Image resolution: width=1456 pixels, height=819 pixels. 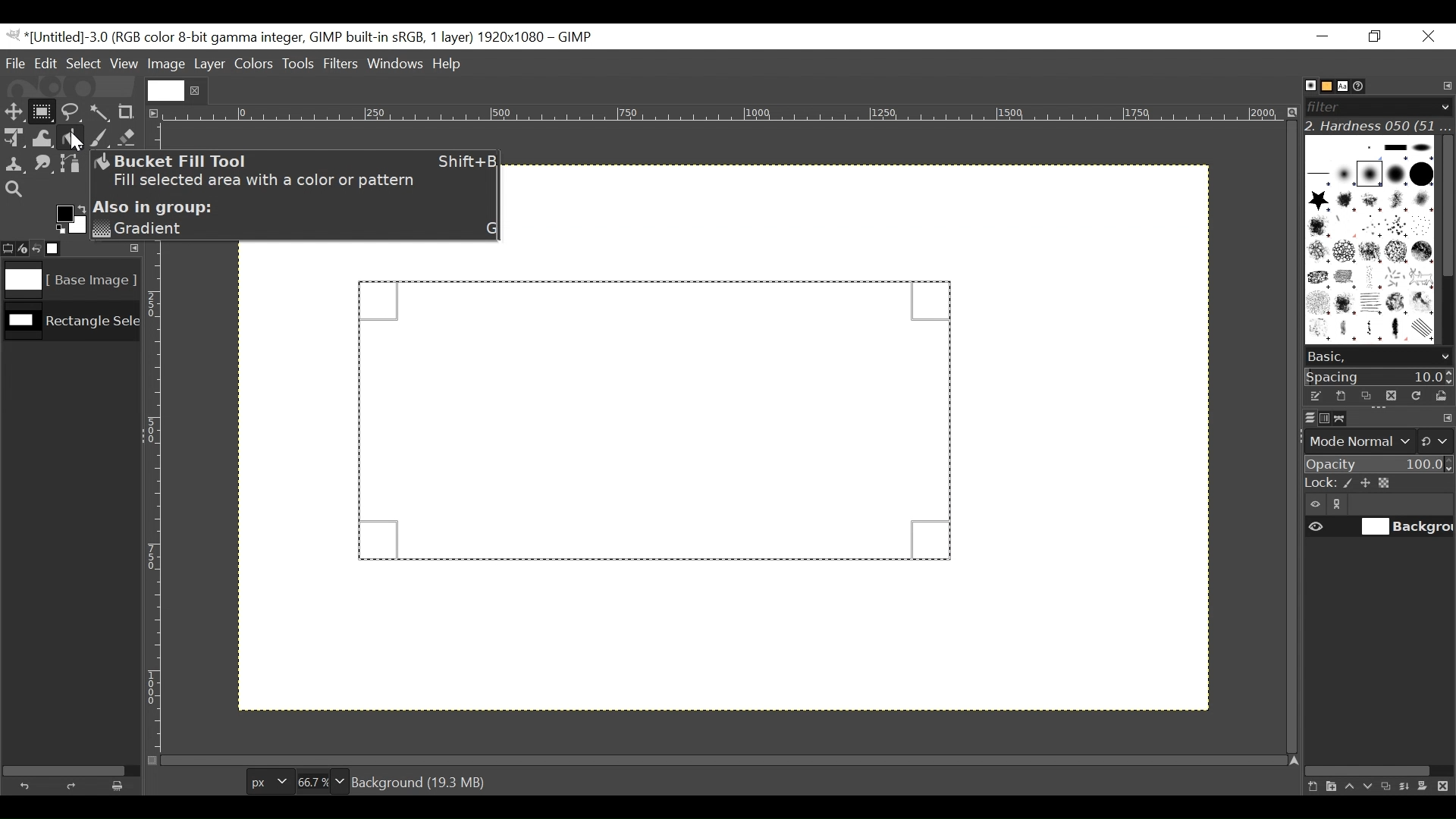 I want to click on Restore, so click(x=1378, y=37).